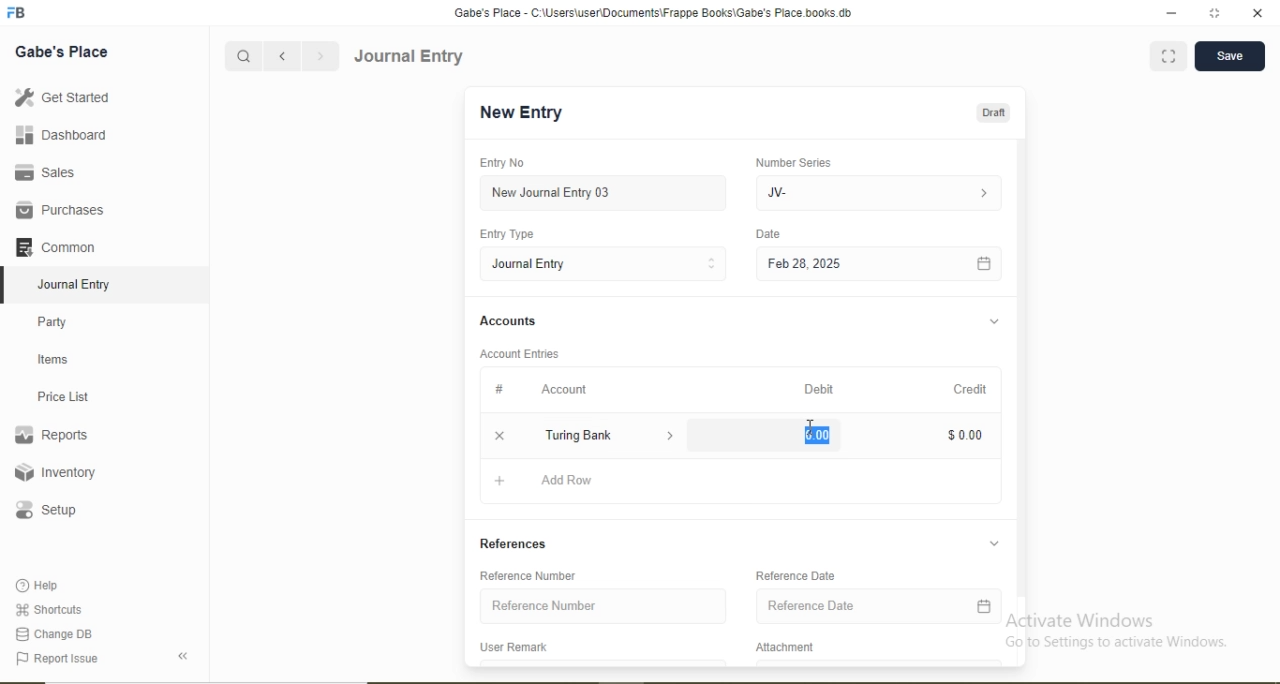 The width and height of the screenshot is (1280, 684). Describe the element at coordinates (61, 96) in the screenshot. I see `Get Started` at that location.